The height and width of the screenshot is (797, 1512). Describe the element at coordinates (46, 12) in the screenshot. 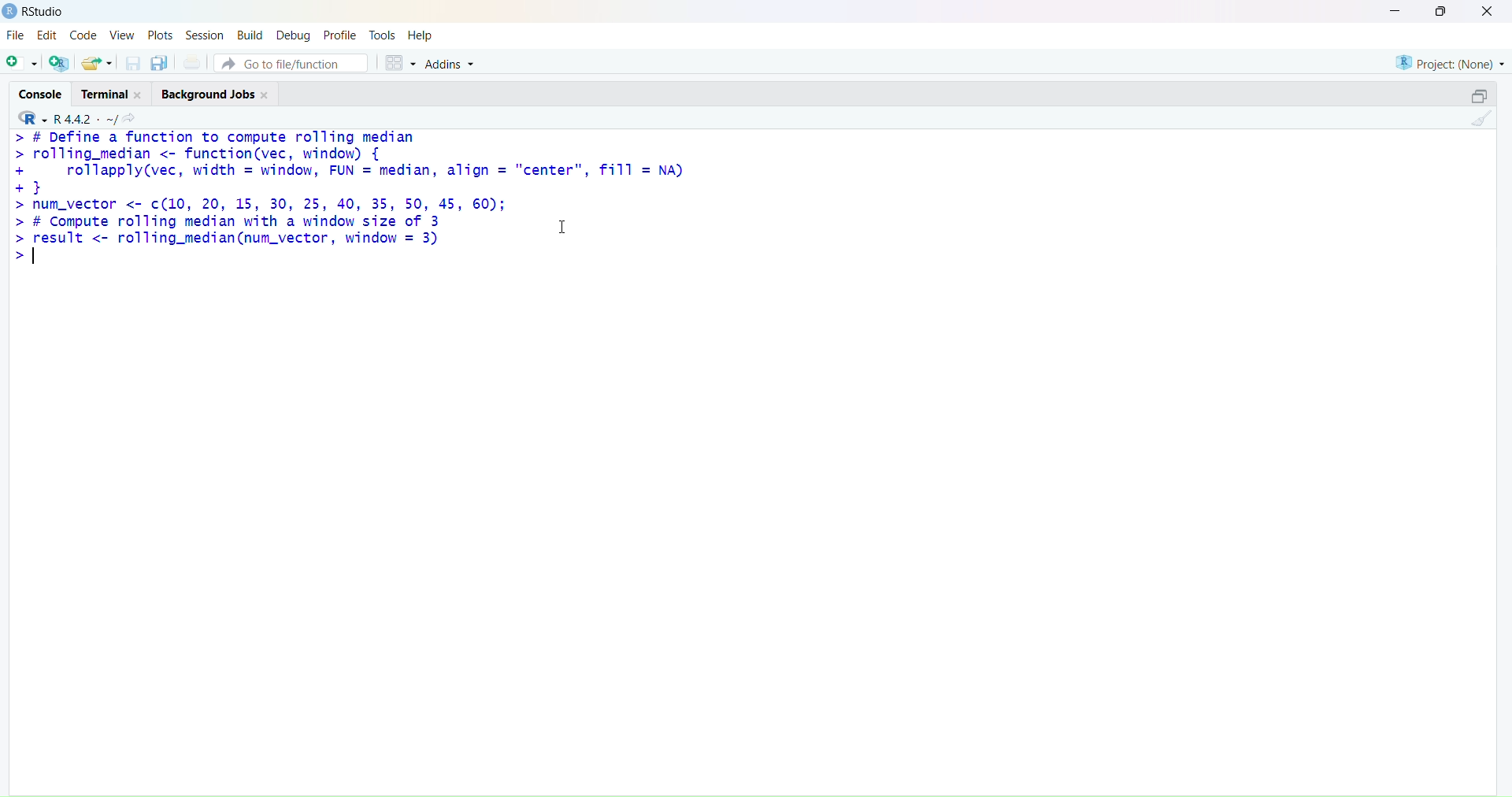

I see `RStudio` at that location.